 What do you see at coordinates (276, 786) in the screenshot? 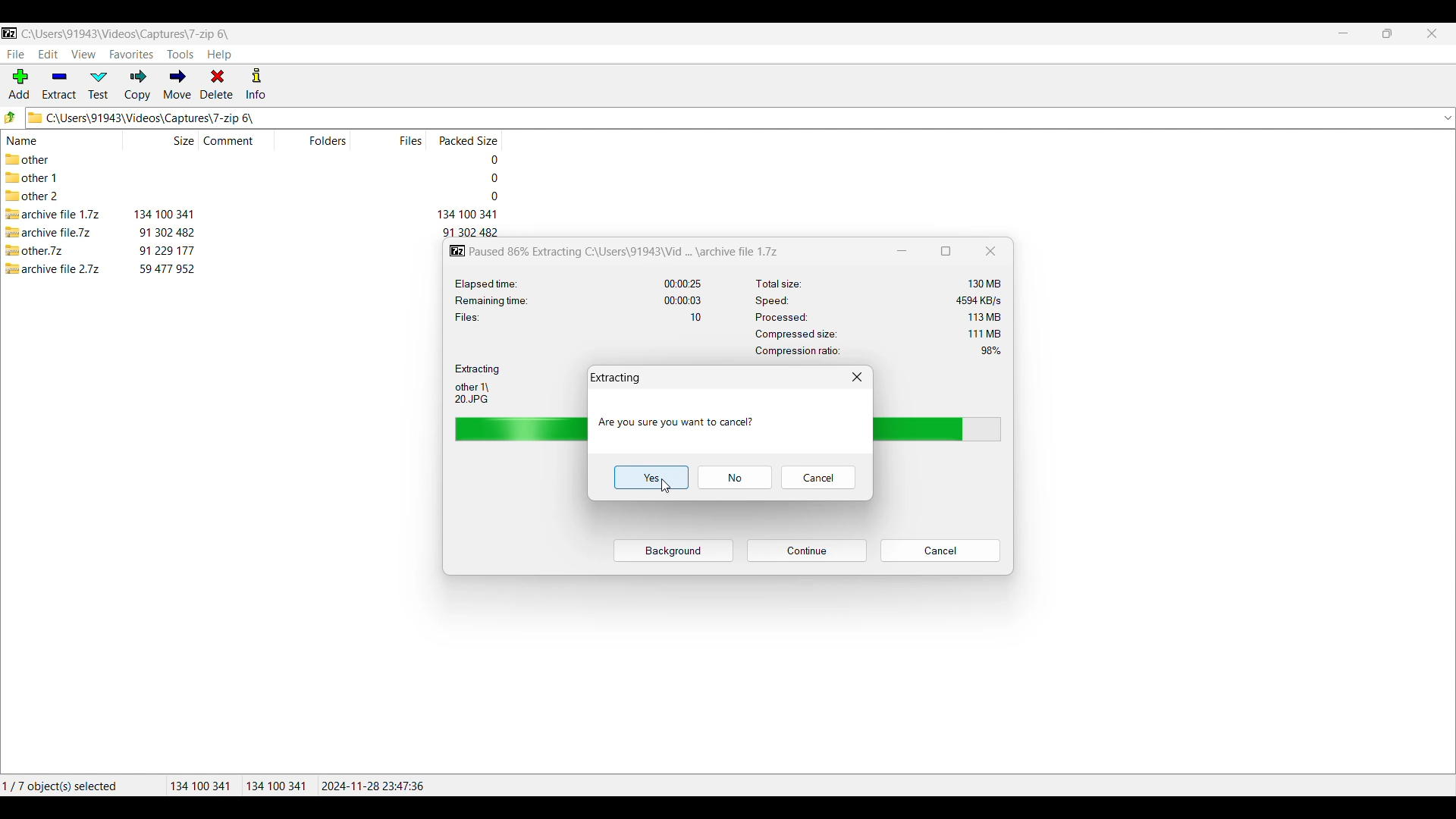
I see `134100 341` at bounding box center [276, 786].